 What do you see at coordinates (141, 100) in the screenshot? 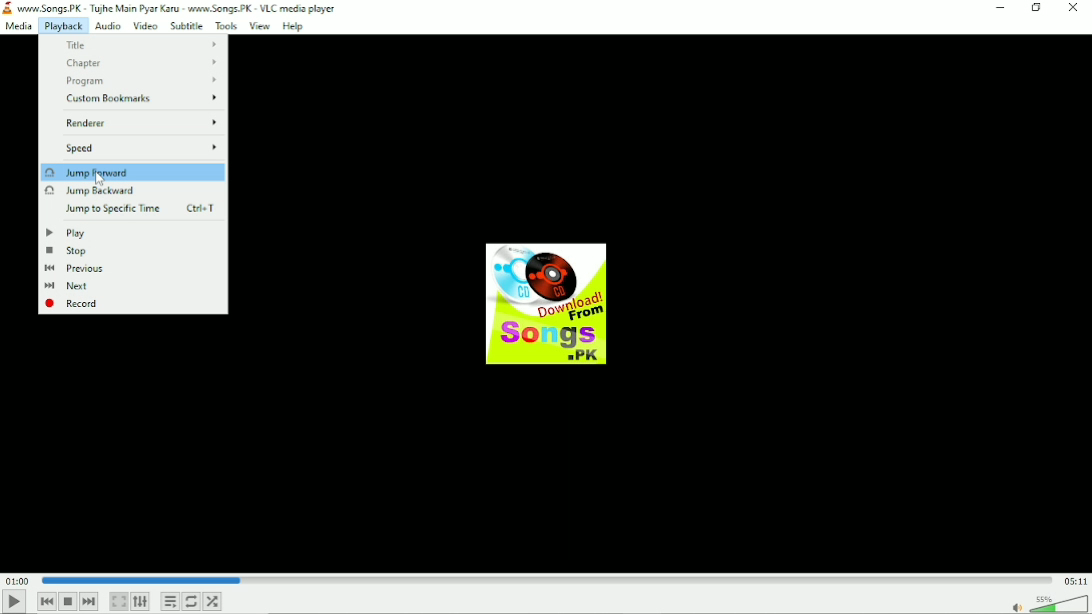
I see `Custom bookmarks` at bounding box center [141, 100].